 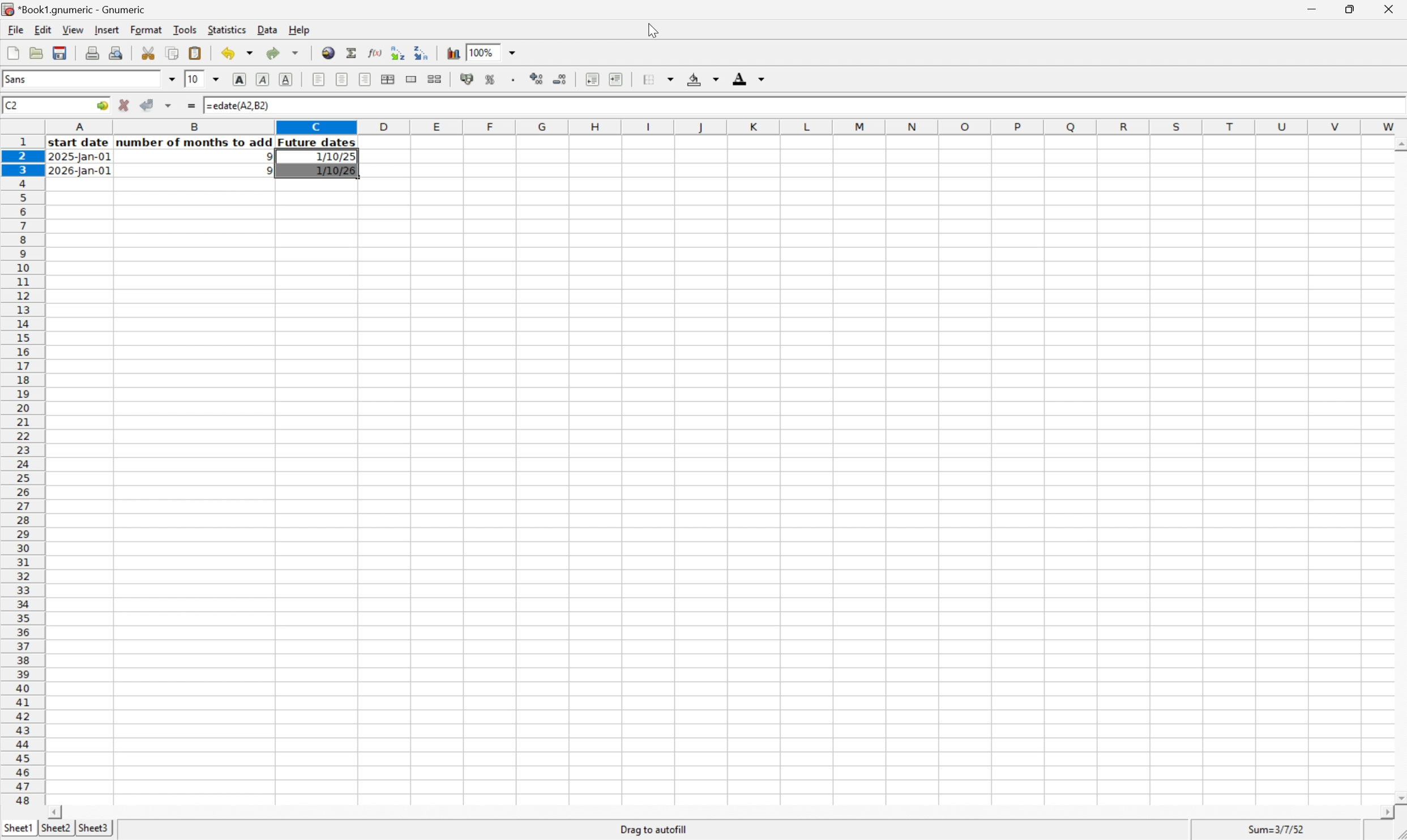 I want to click on Print preview, so click(x=116, y=52).